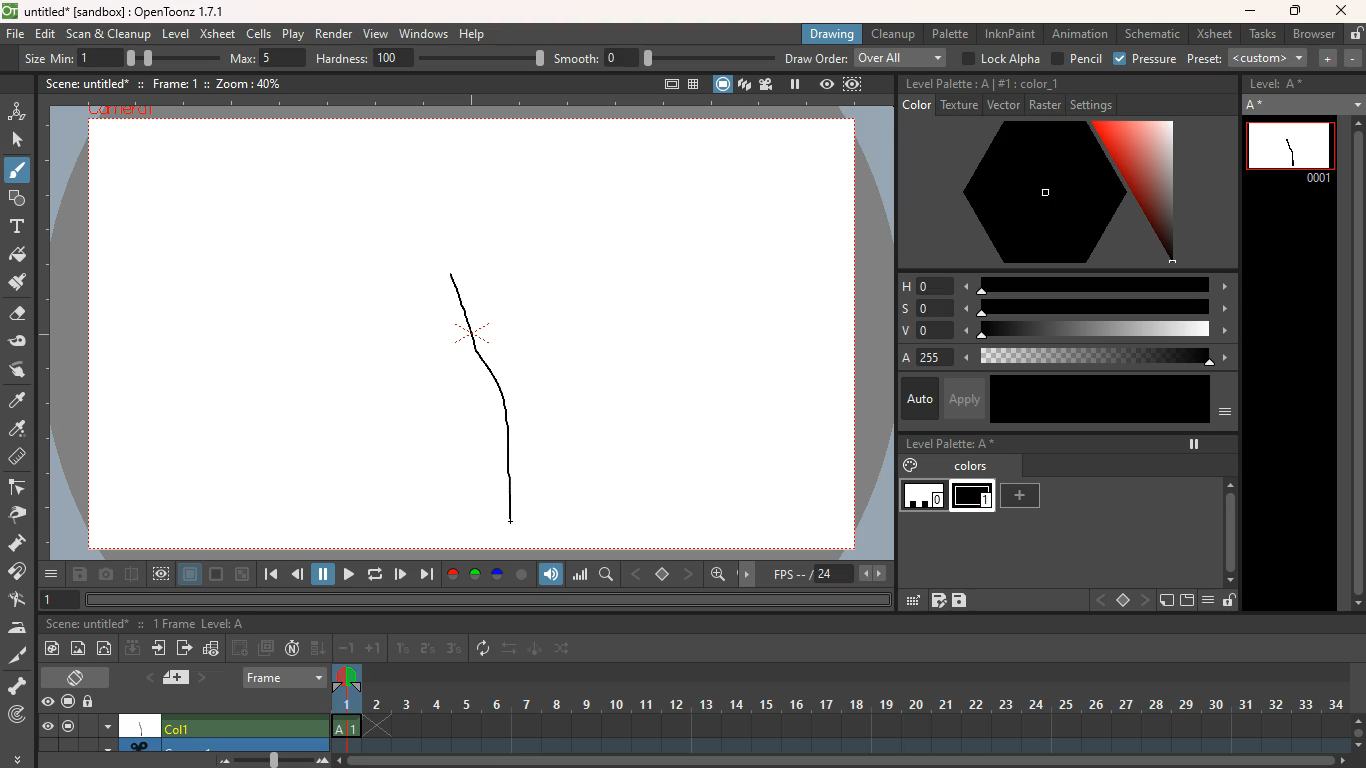 The width and height of the screenshot is (1366, 768). I want to click on change, so click(565, 651).